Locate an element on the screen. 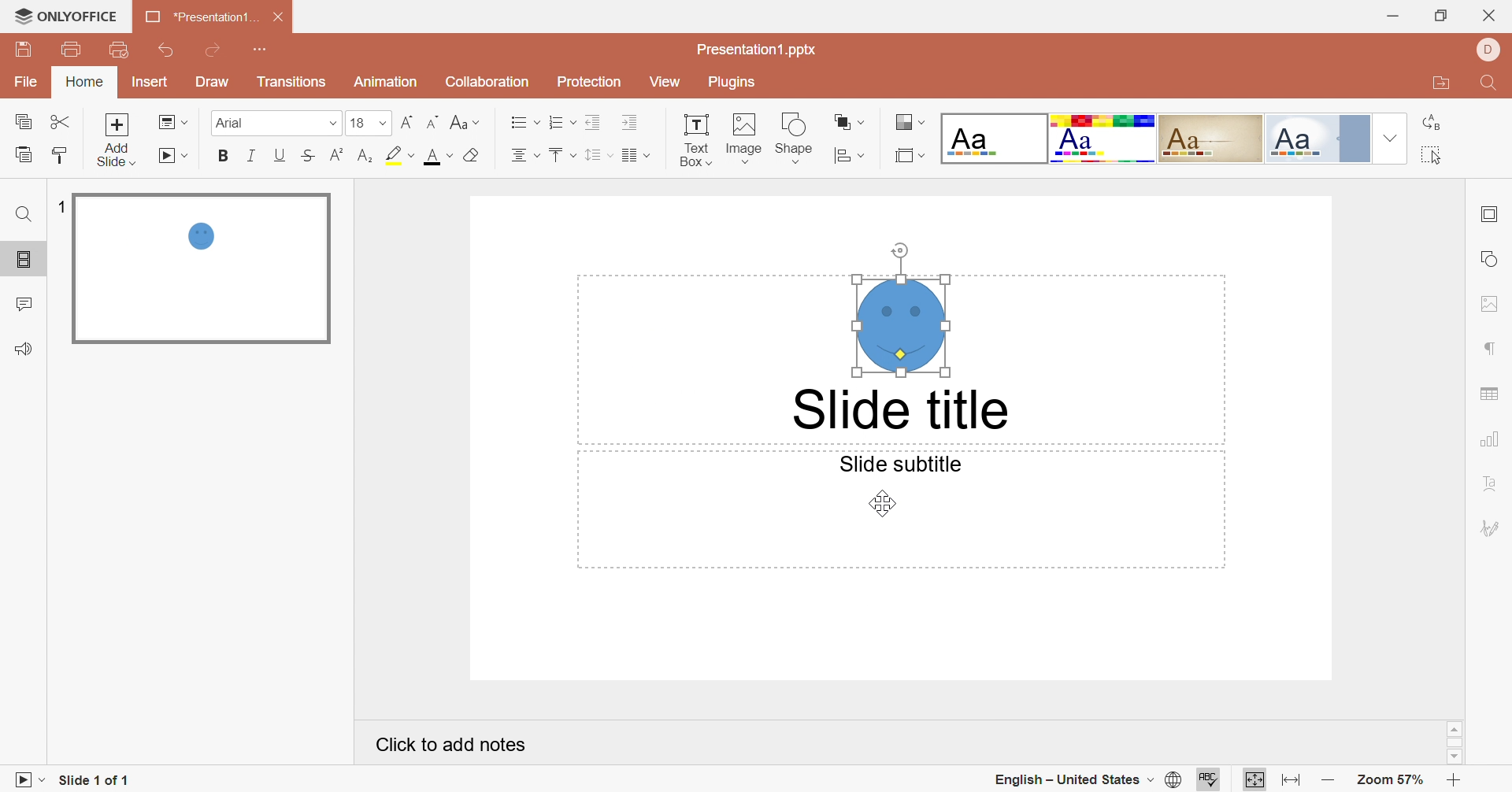 The width and height of the screenshot is (1512, 792). Find is located at coordinates (1487, 86).